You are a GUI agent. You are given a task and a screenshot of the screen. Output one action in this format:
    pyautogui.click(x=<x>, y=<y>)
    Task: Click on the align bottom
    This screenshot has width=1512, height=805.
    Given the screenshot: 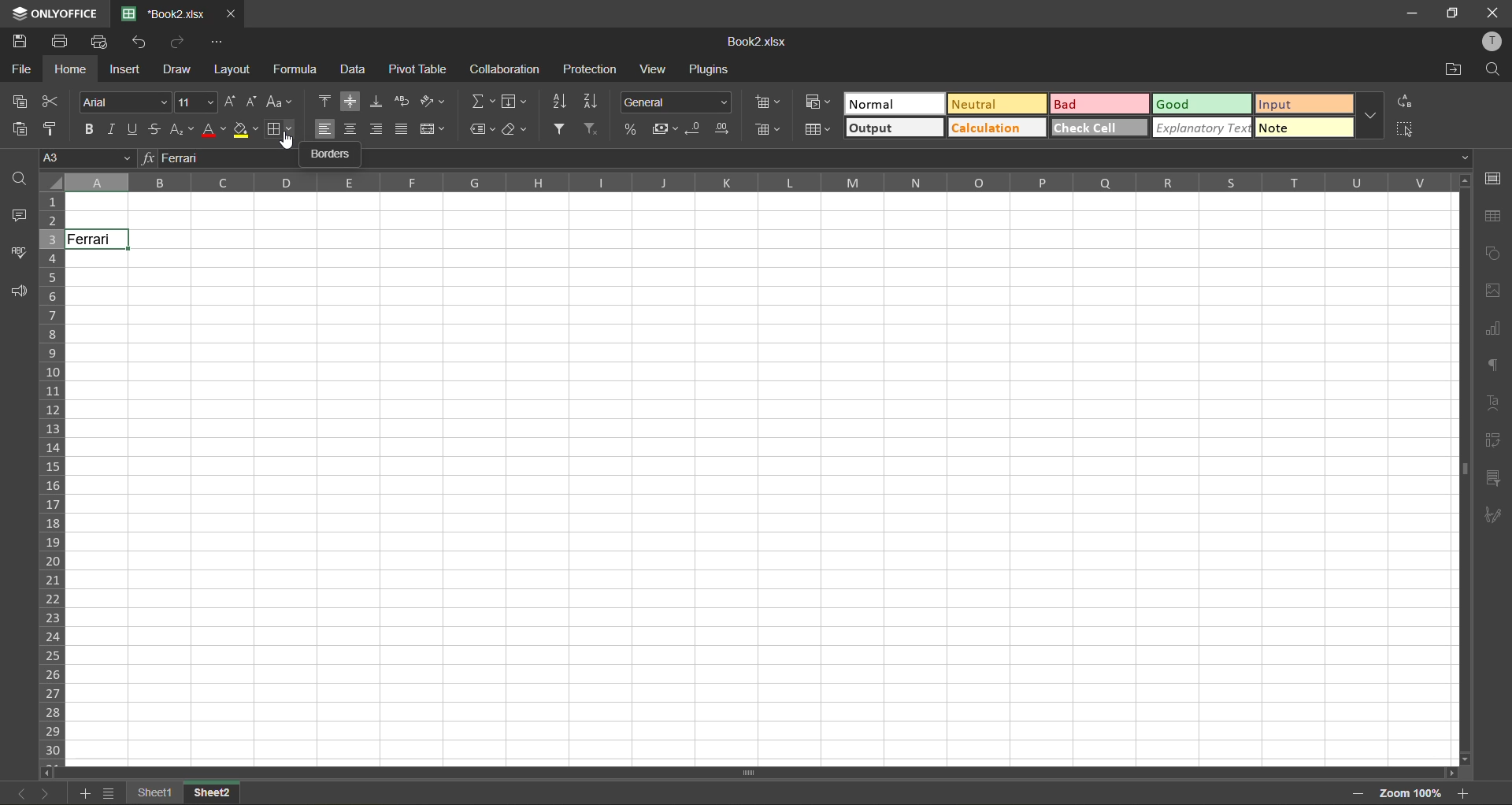 What is the action you would take?
    pyautogui.click(x=377, y=102)
    